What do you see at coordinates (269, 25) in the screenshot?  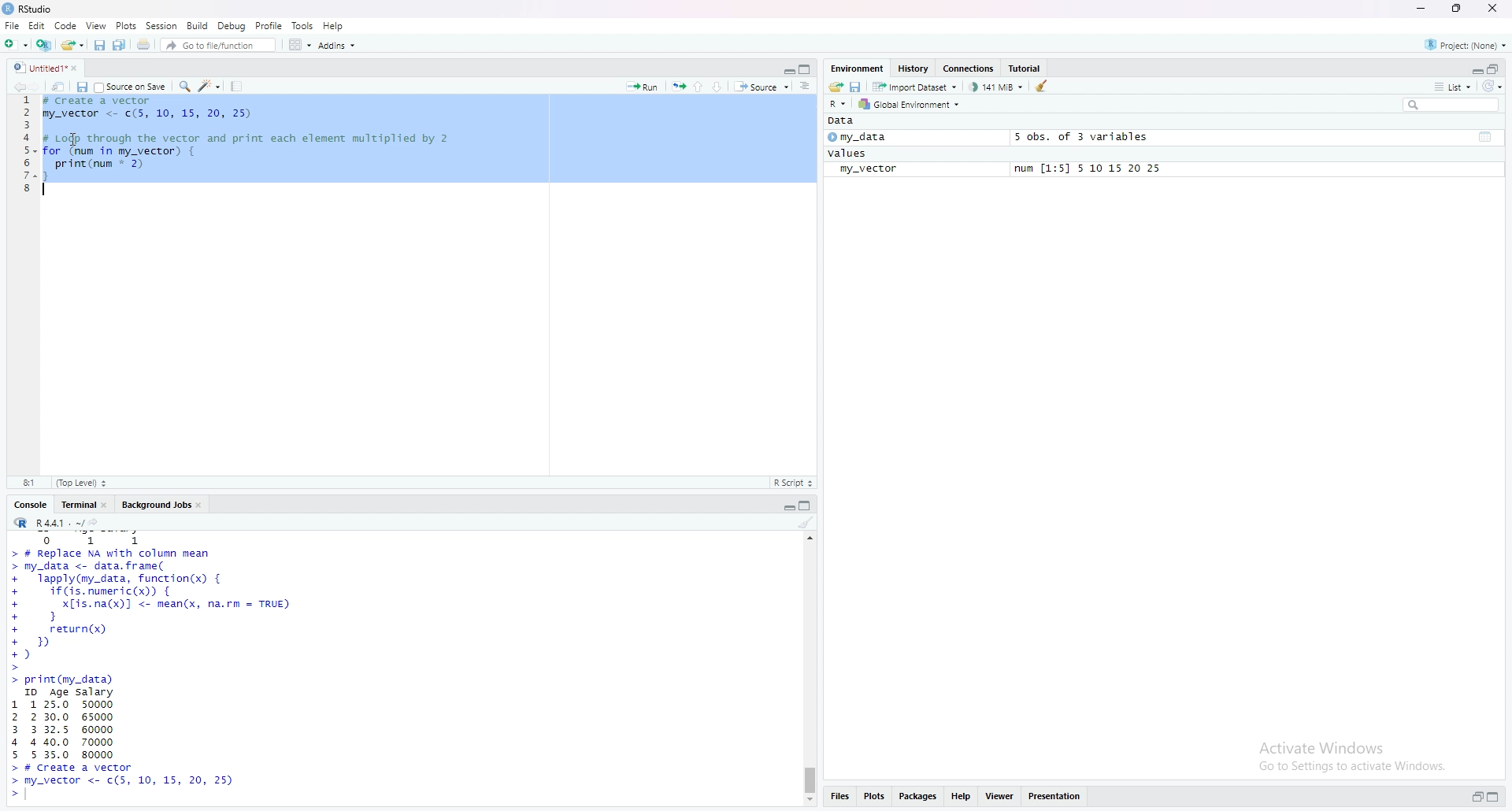 I see `profile` at bounding box center [269, 25].